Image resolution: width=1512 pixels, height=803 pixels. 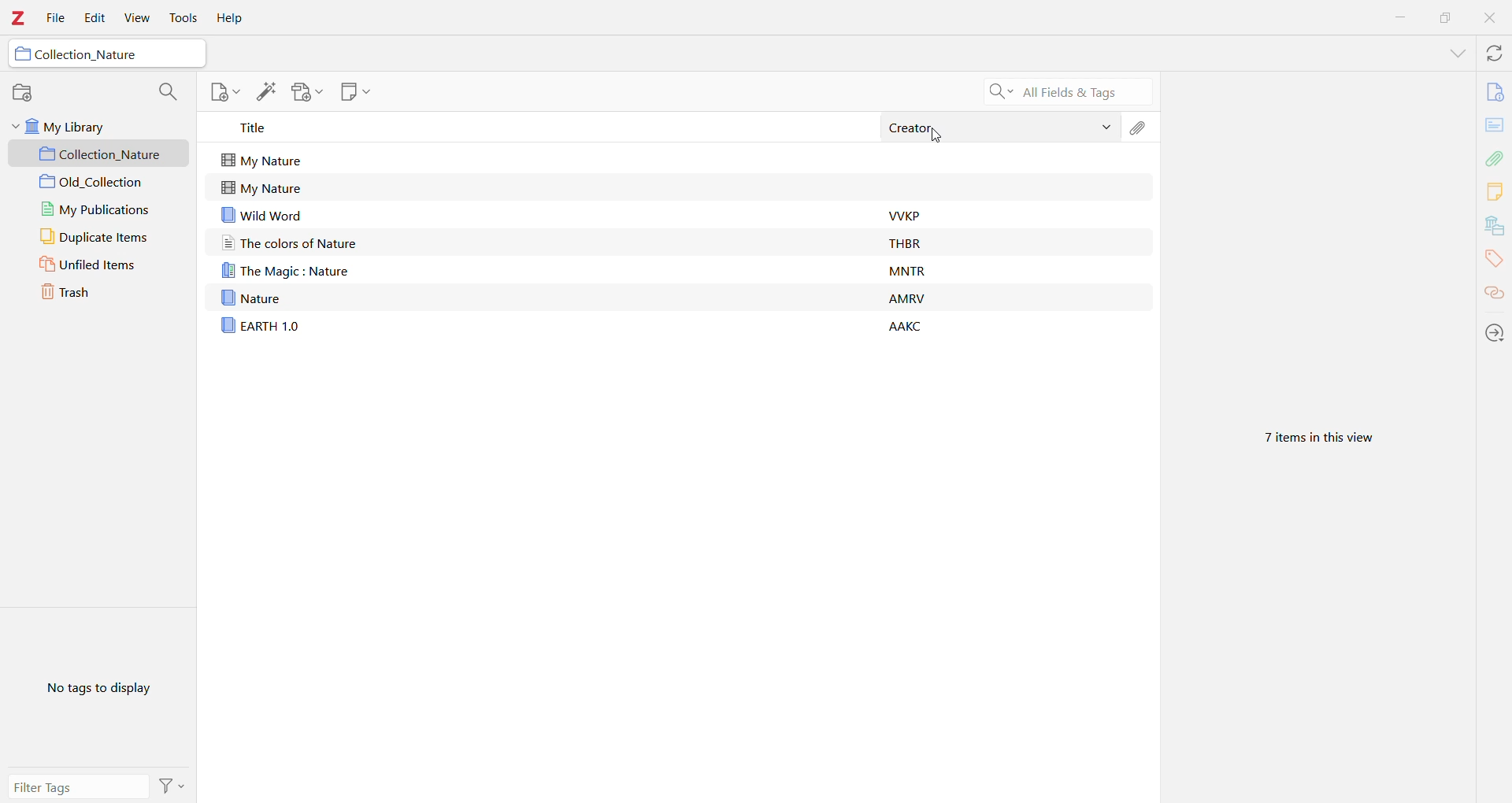 What do you see at coordinates (23, 91) in the screenshot?
I see `New Collection` at bounding box center [23, 91].